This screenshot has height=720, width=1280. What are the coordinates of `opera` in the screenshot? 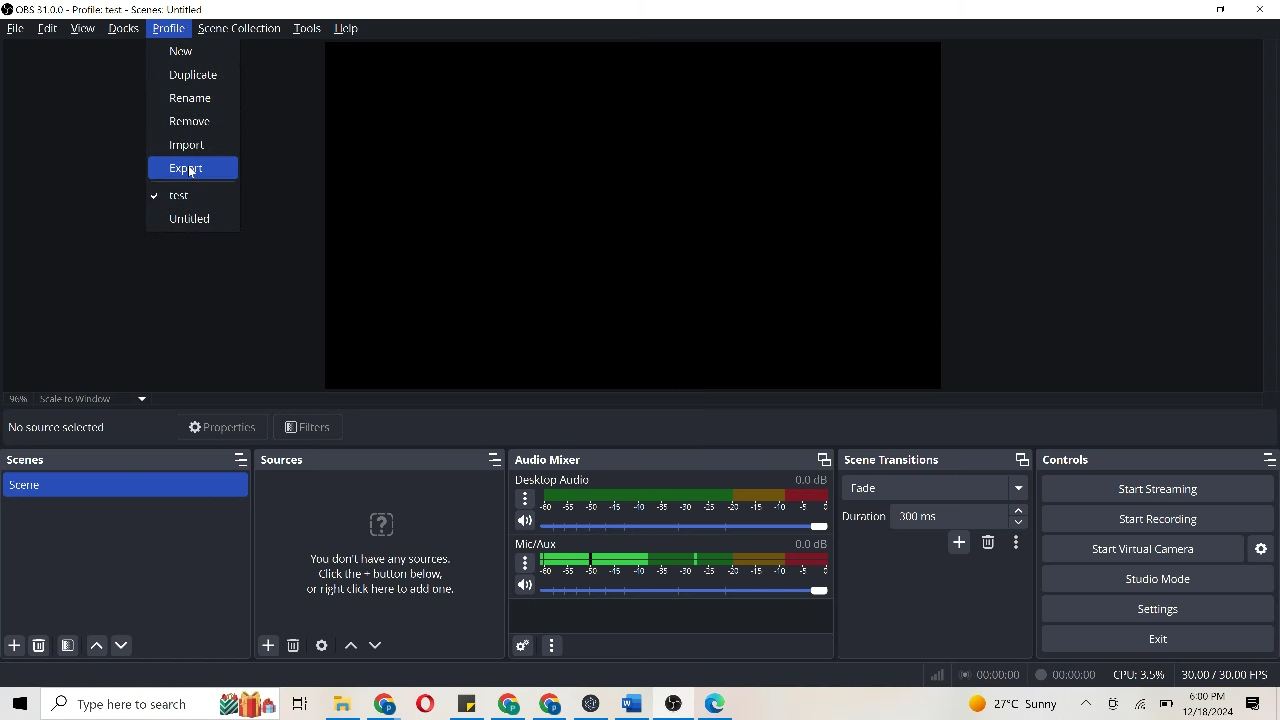 It's located at (430, 704).